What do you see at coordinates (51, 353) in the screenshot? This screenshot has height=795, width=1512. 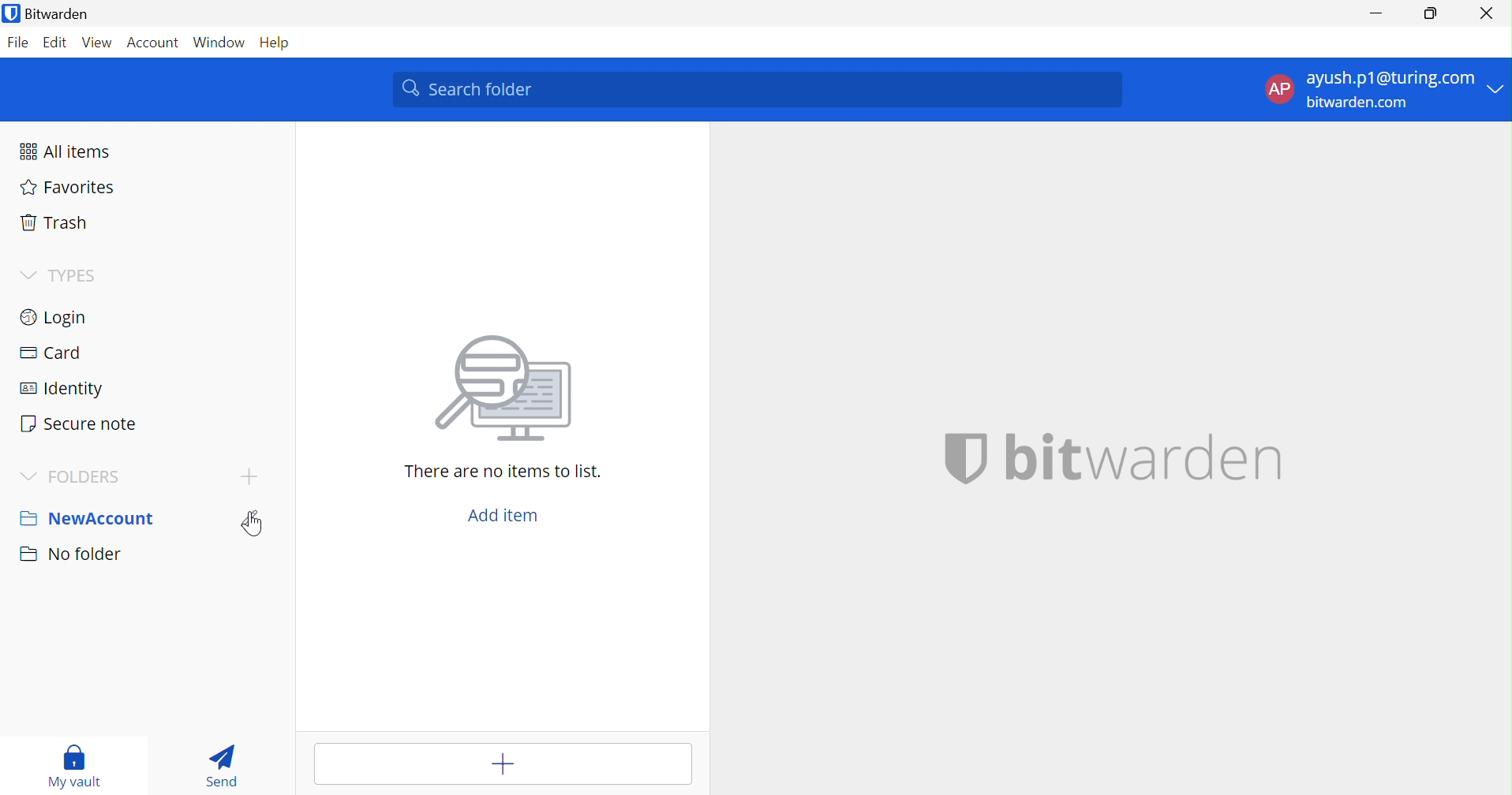 I see `Card` at bounding box center [51, 353].